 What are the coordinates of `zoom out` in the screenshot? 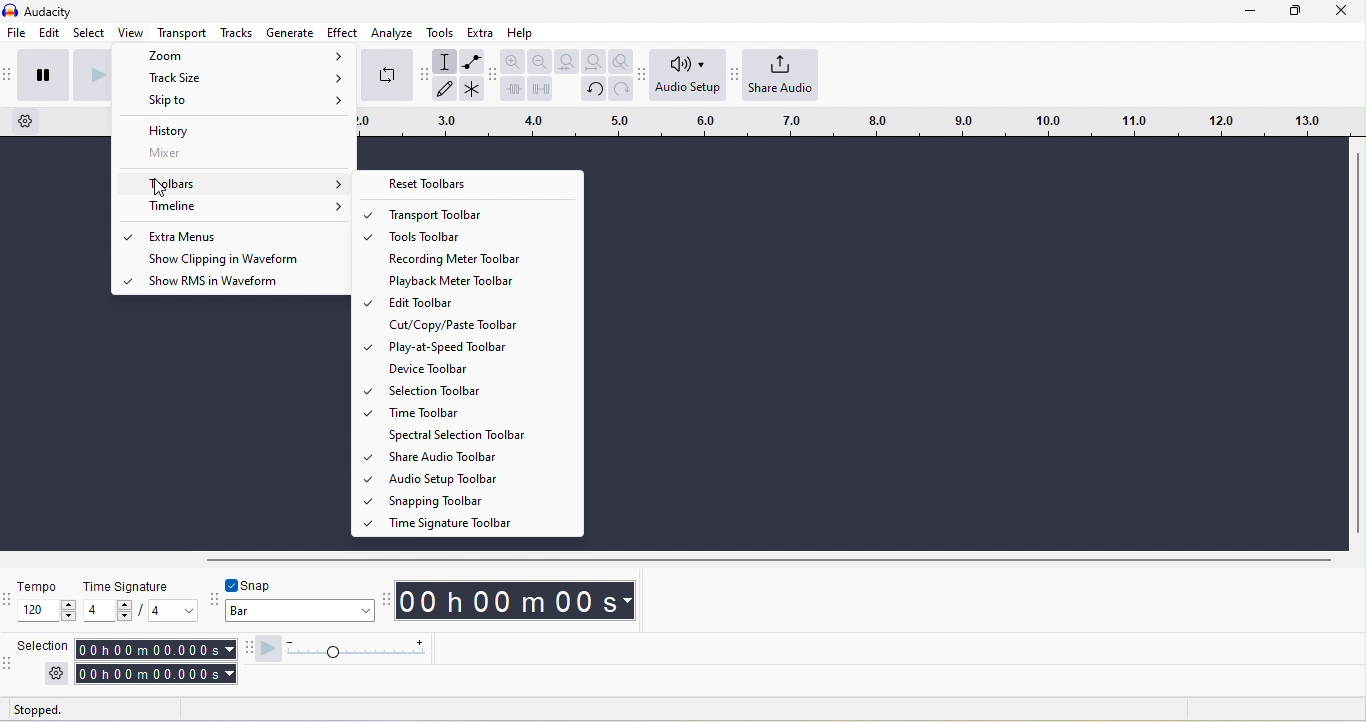 It's located at (540, 61).